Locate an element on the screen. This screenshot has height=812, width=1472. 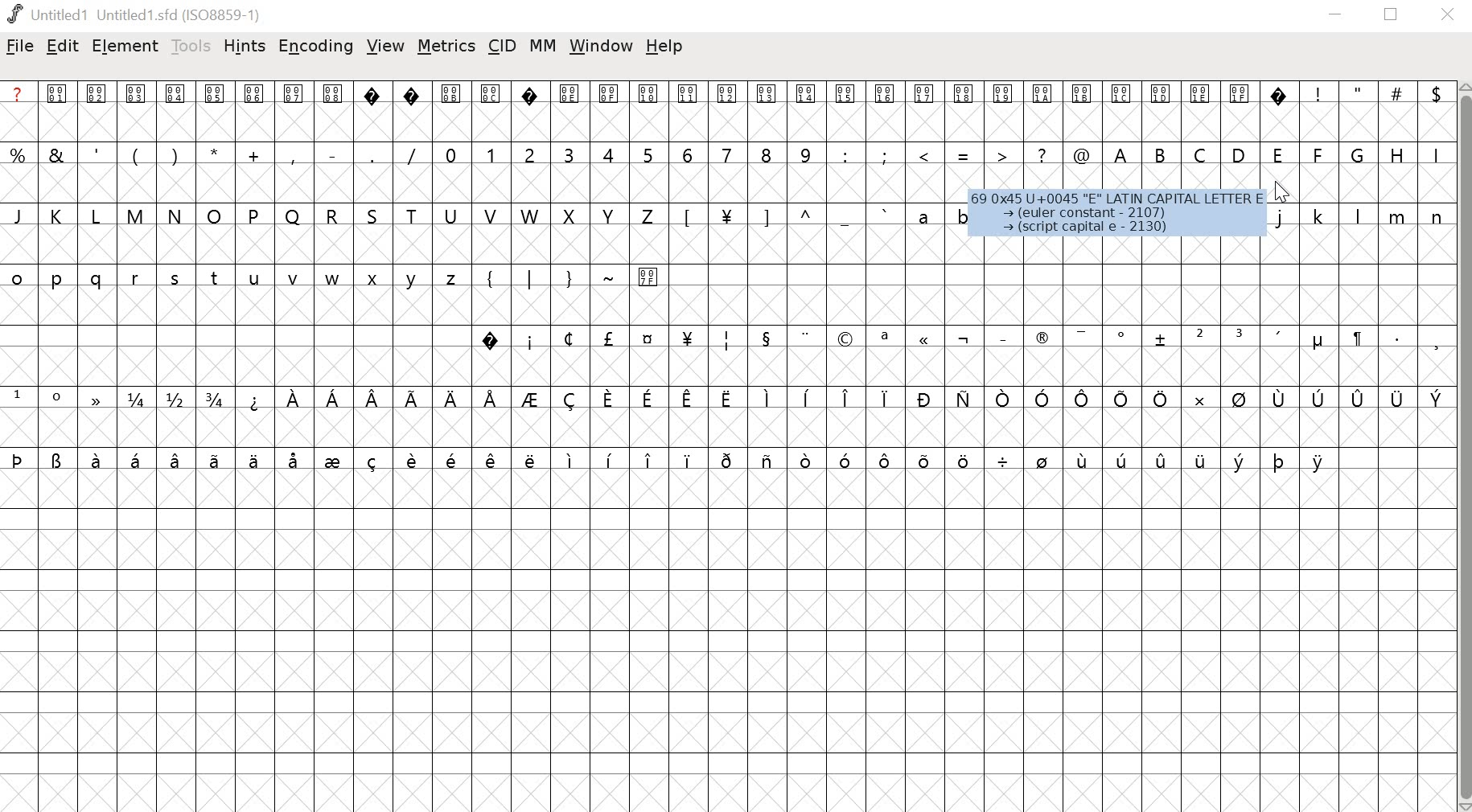
empty cells is located at coordinates (728, 307).